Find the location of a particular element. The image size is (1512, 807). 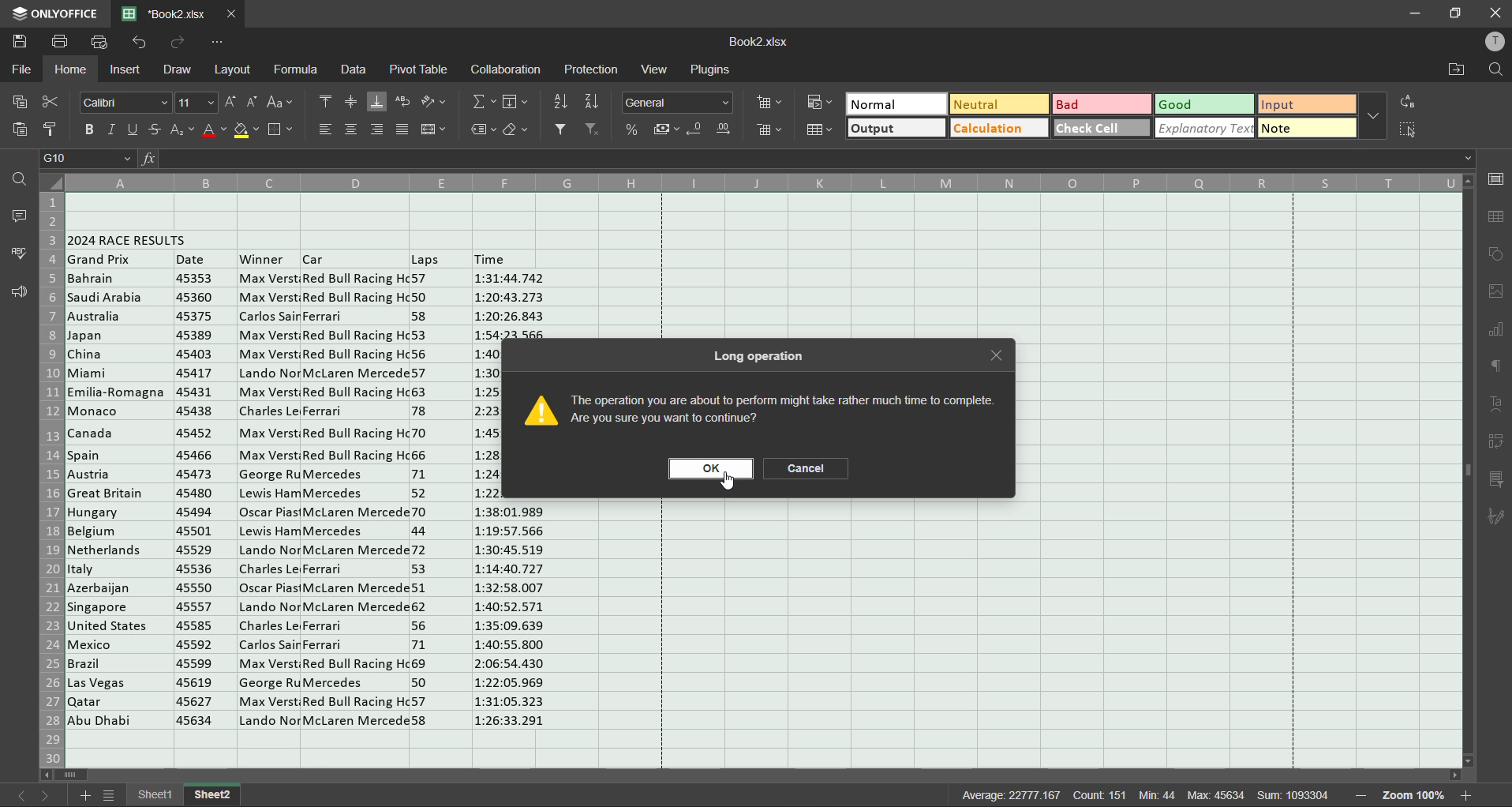

file is located at coordinates (23, 68).